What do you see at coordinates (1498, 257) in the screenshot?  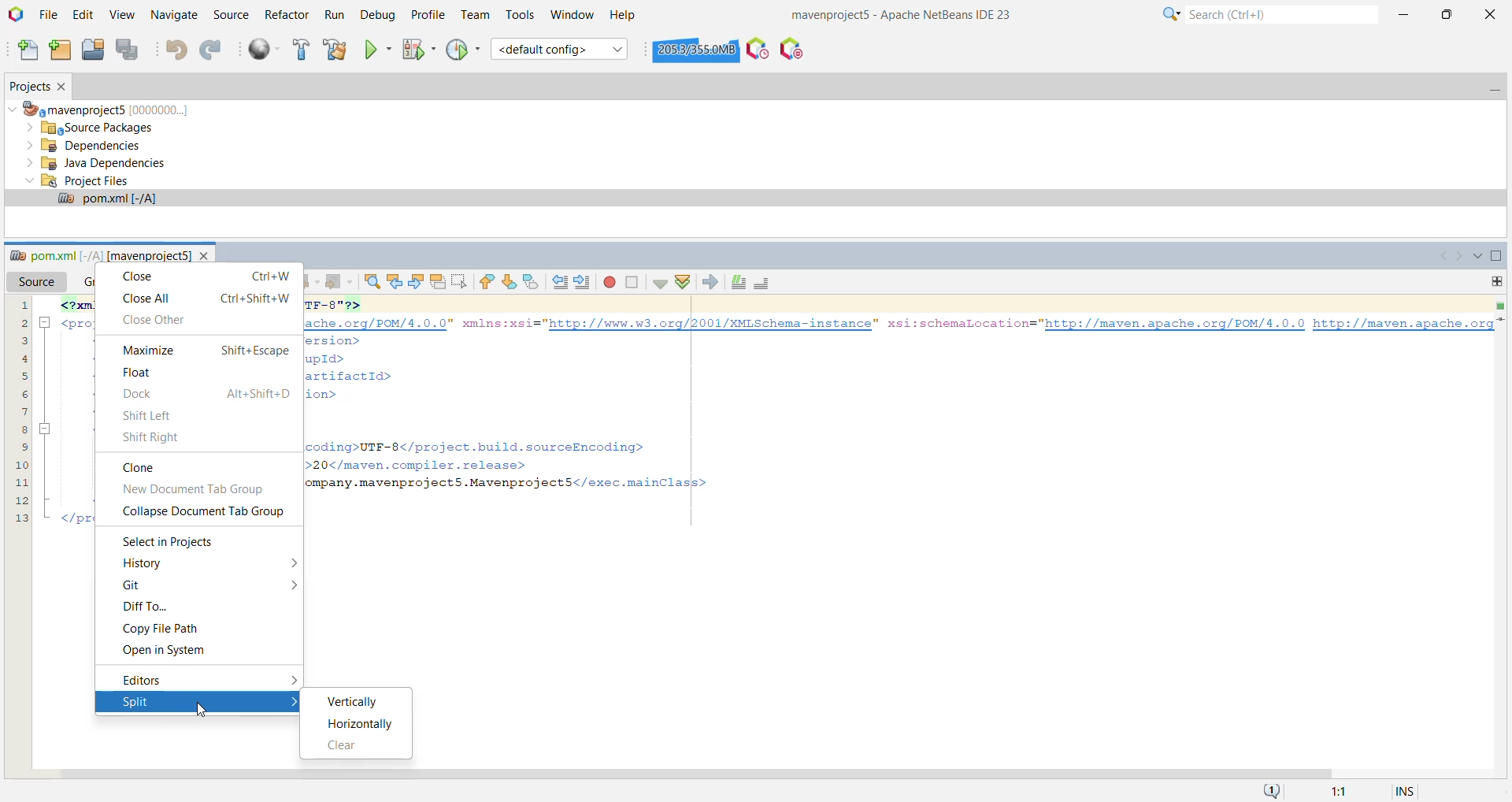 I see `Maximize Window` at bounding box center [1498, 257].